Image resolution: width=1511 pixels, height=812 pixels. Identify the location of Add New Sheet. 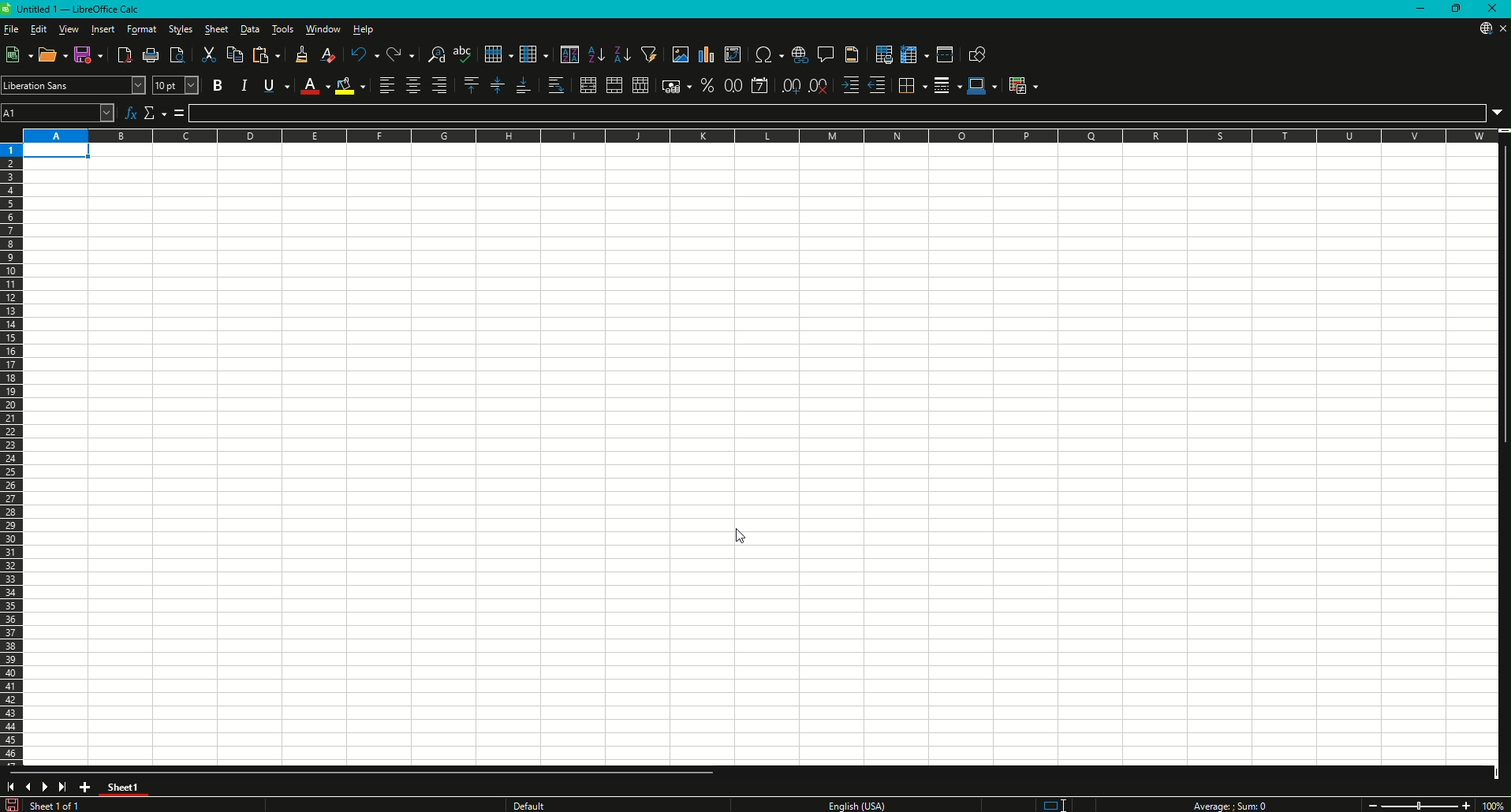
(85, 787).